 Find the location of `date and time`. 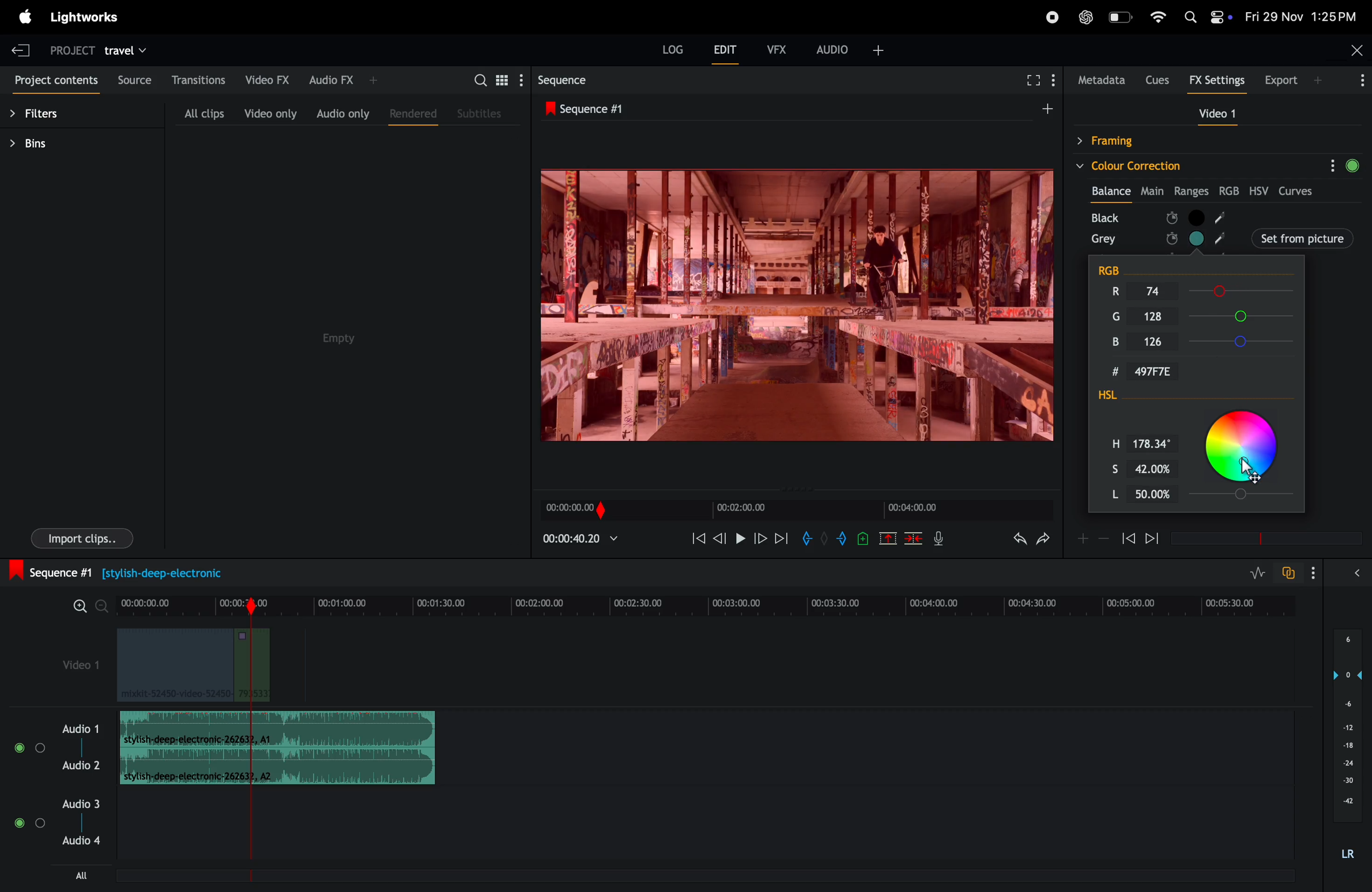

date and time is located at coordinates (1302, 16).